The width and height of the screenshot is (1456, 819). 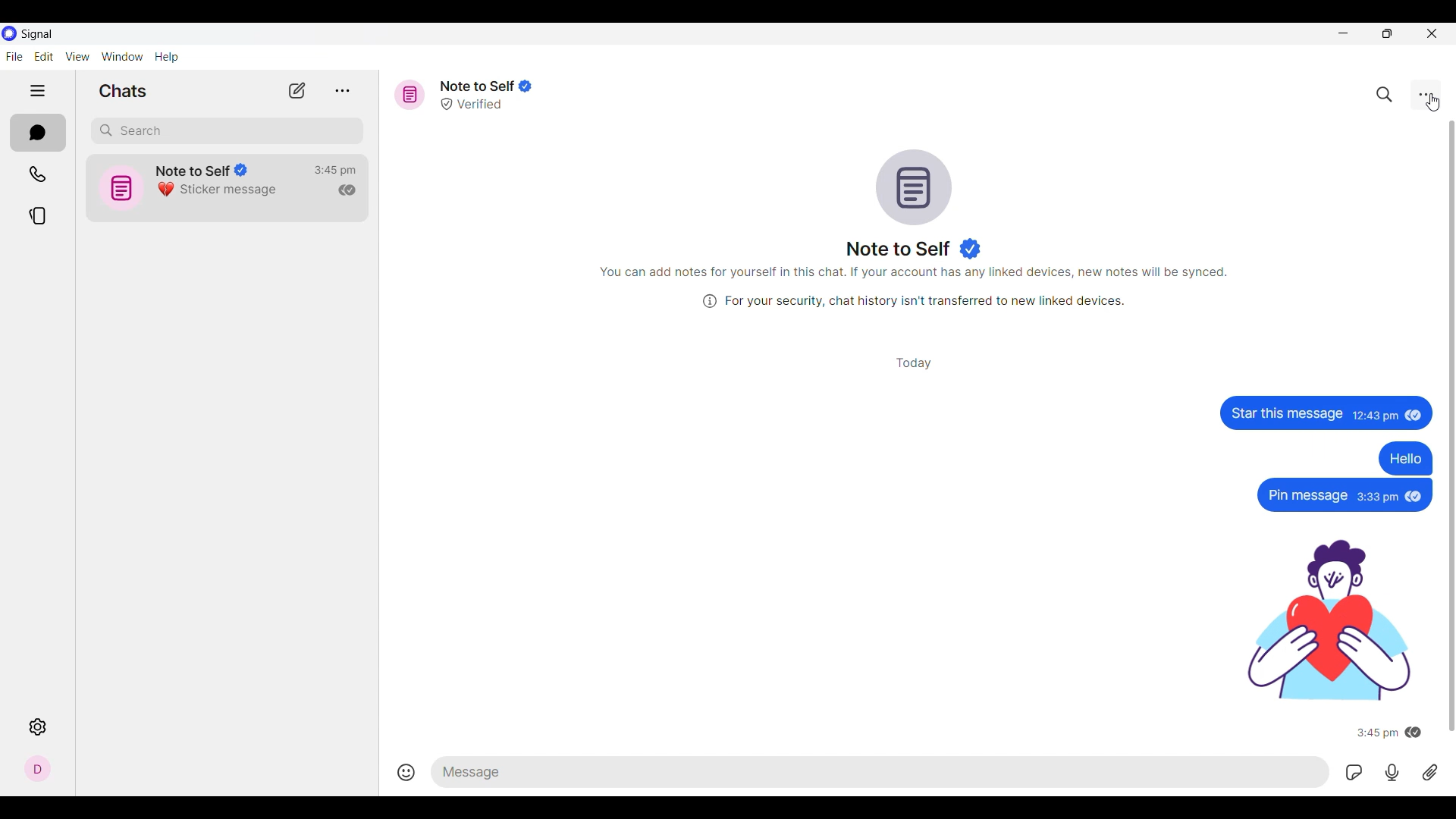 I want to click on New chat, so click(x=297, y=91).